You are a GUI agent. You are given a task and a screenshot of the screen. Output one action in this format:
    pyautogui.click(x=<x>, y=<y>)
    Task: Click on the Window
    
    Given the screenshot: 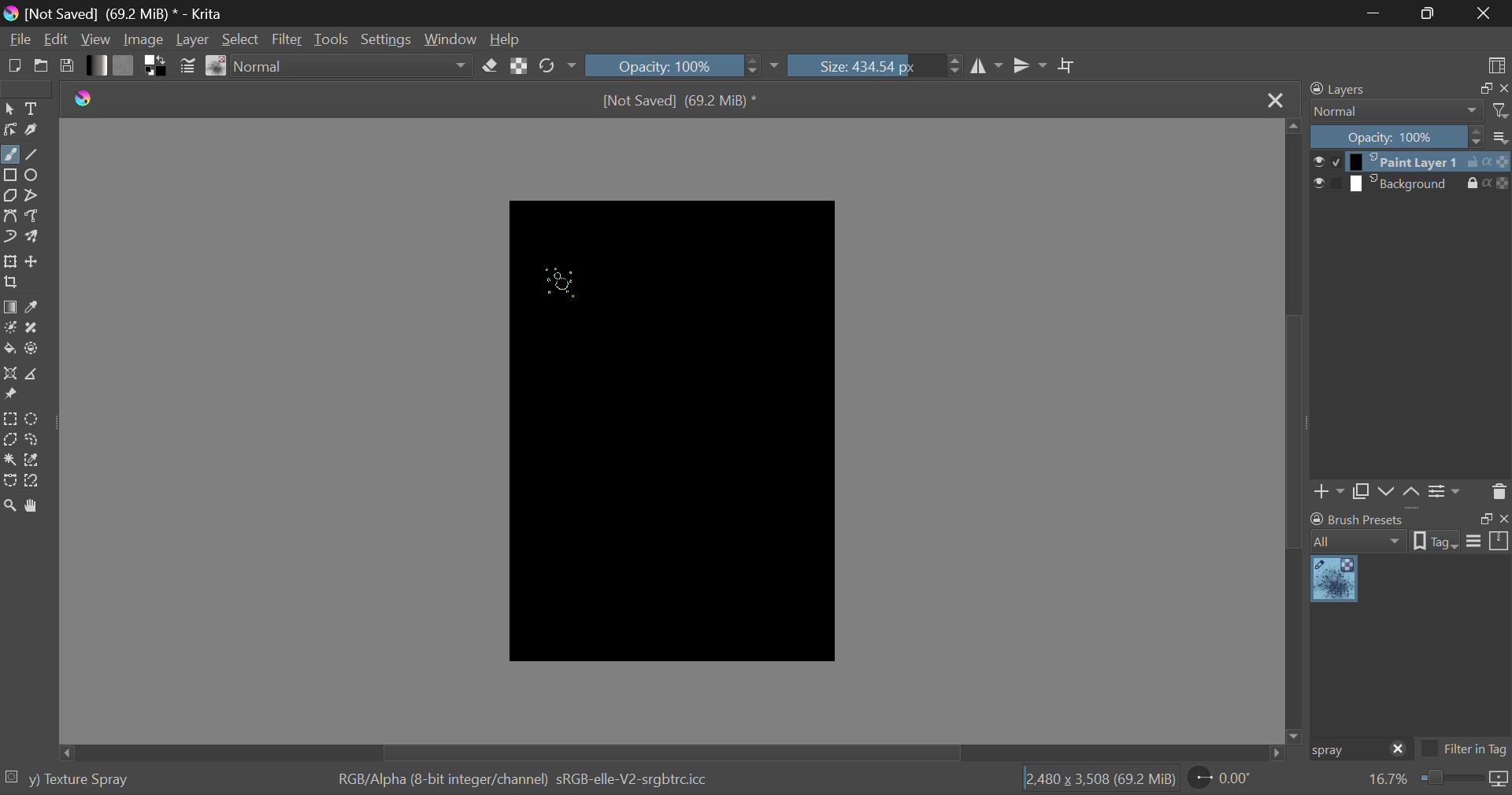 What is the action you would take?
    pyautogui.click(x=453, y=38)
    